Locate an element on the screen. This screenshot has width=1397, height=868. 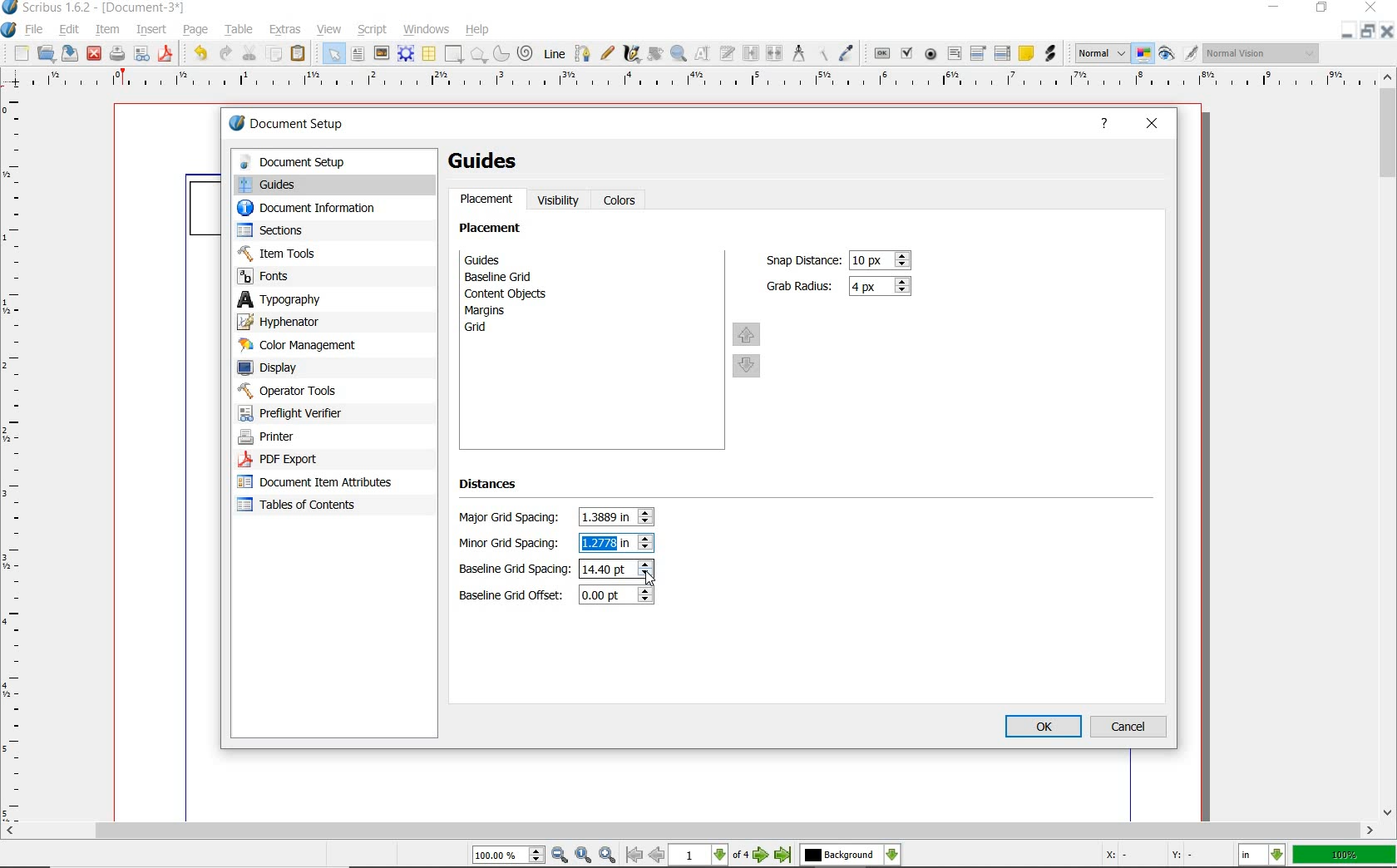
shape is located at coordinates (455, 55).